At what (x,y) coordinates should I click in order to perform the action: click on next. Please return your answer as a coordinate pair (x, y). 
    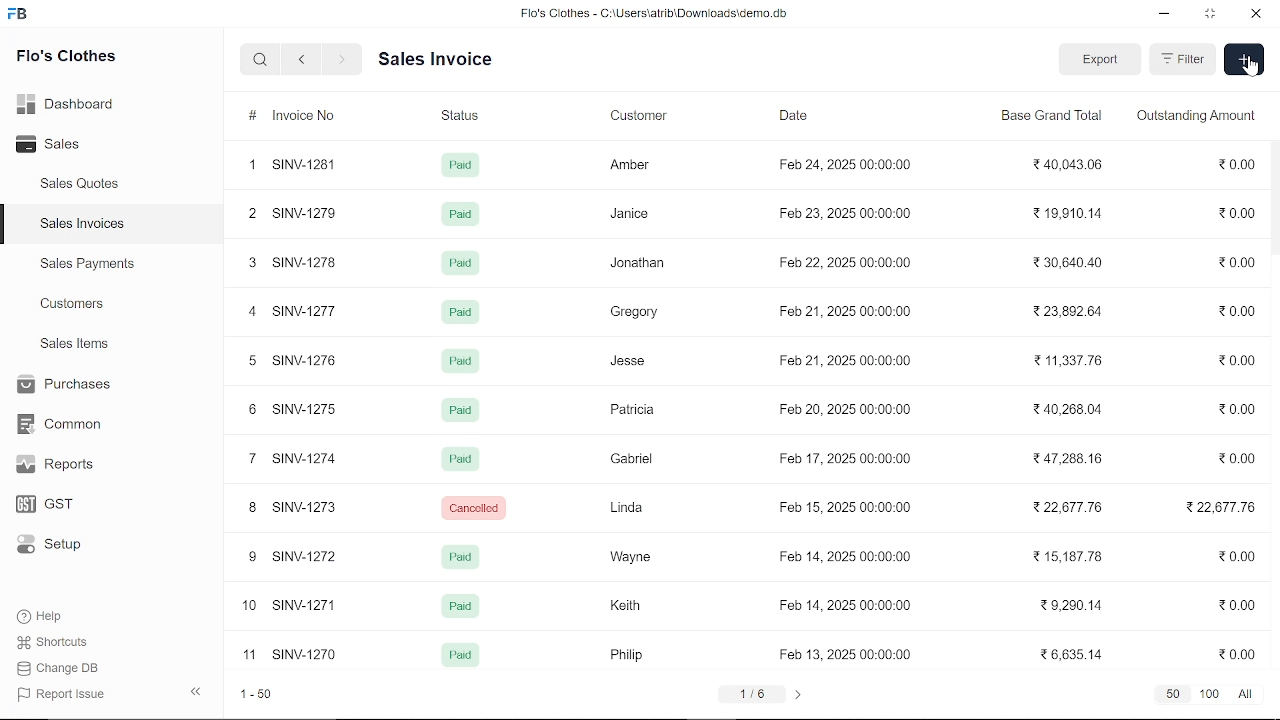
    Looking at the image, I should click on (342, 60).